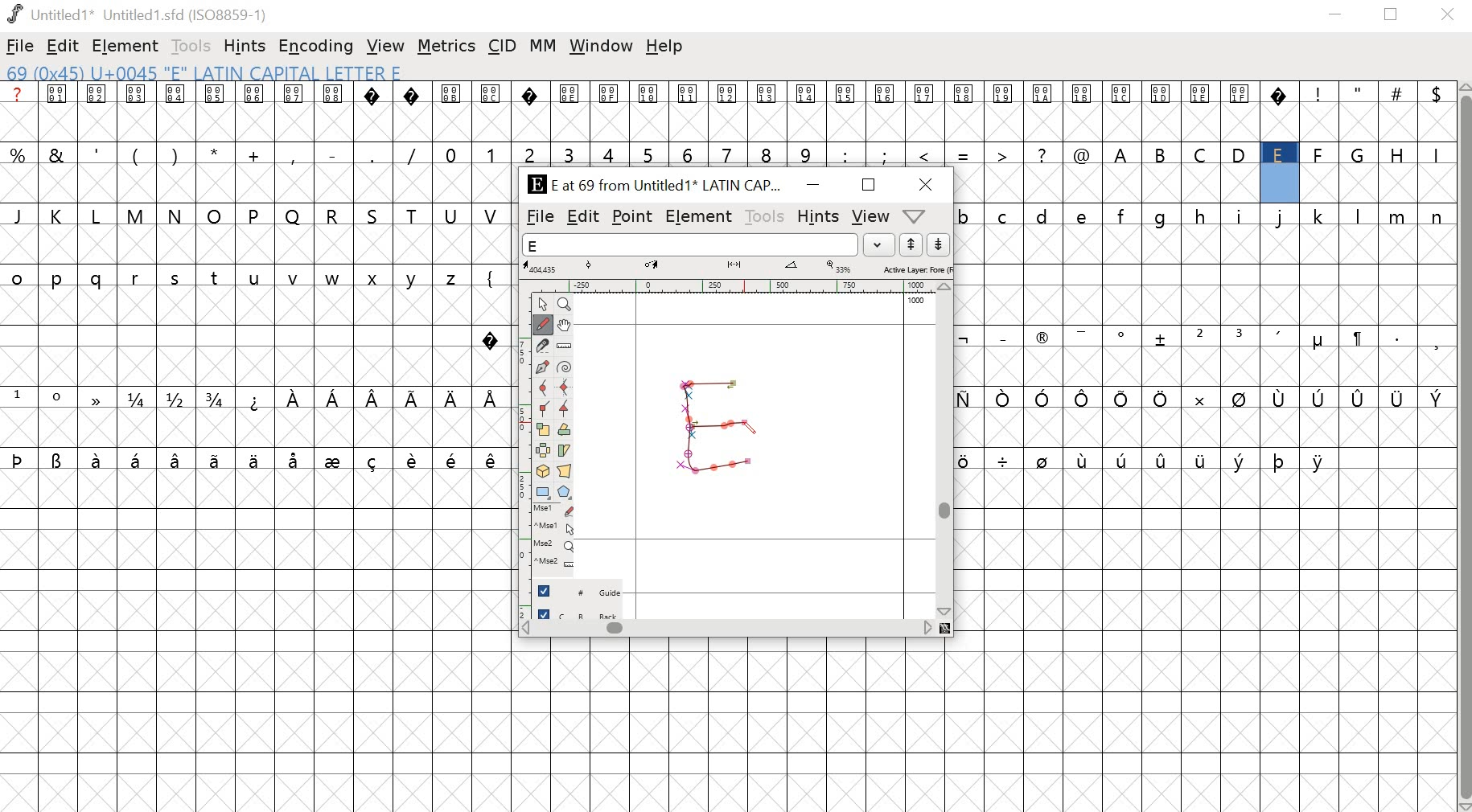  What do you see at coordinates (553, 546) in the screenshot?
I see `Mouse wheel button` at bounding box center [553, 546].